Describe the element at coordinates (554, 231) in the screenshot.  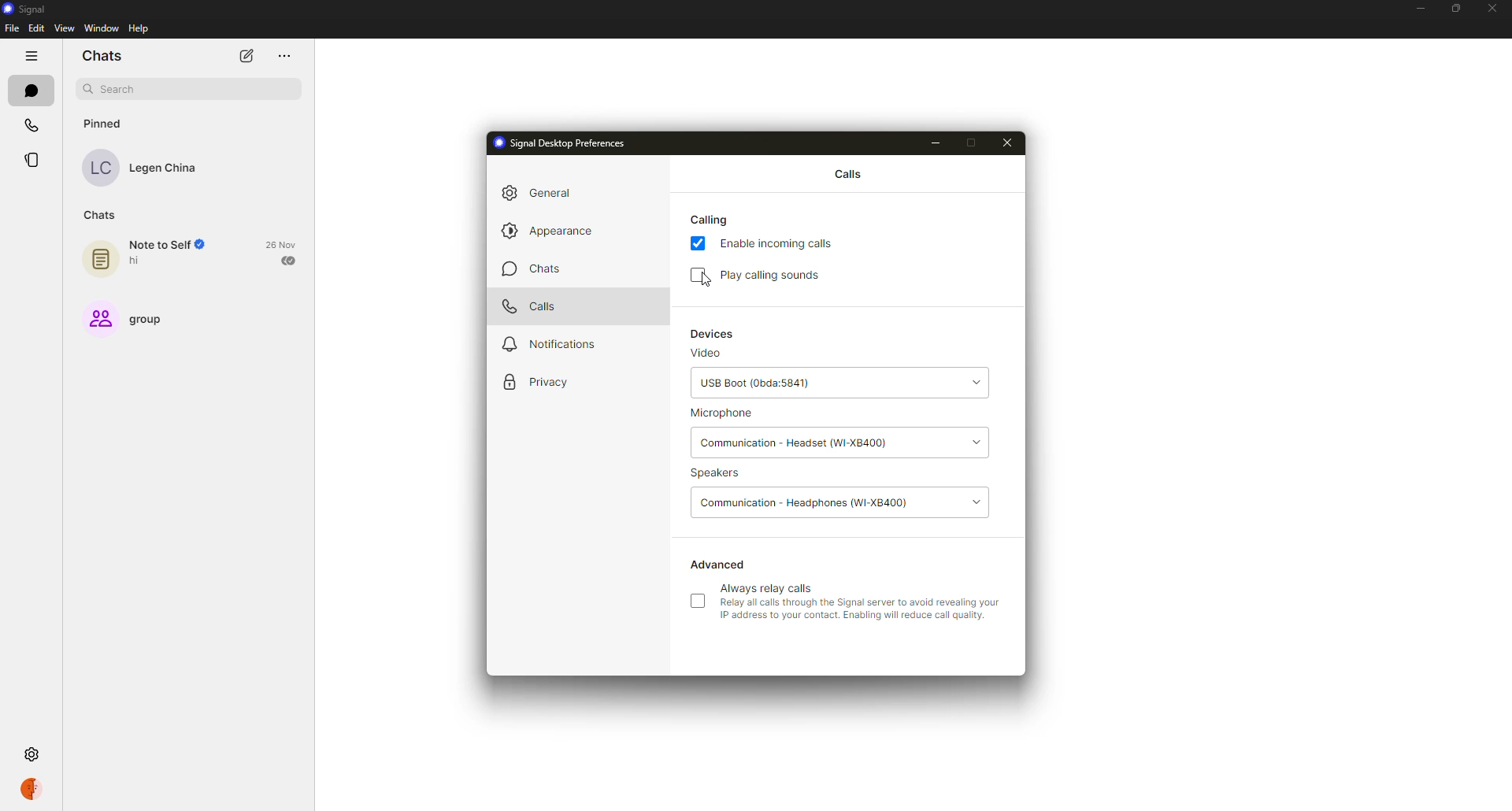
I see `appearance` at that location.